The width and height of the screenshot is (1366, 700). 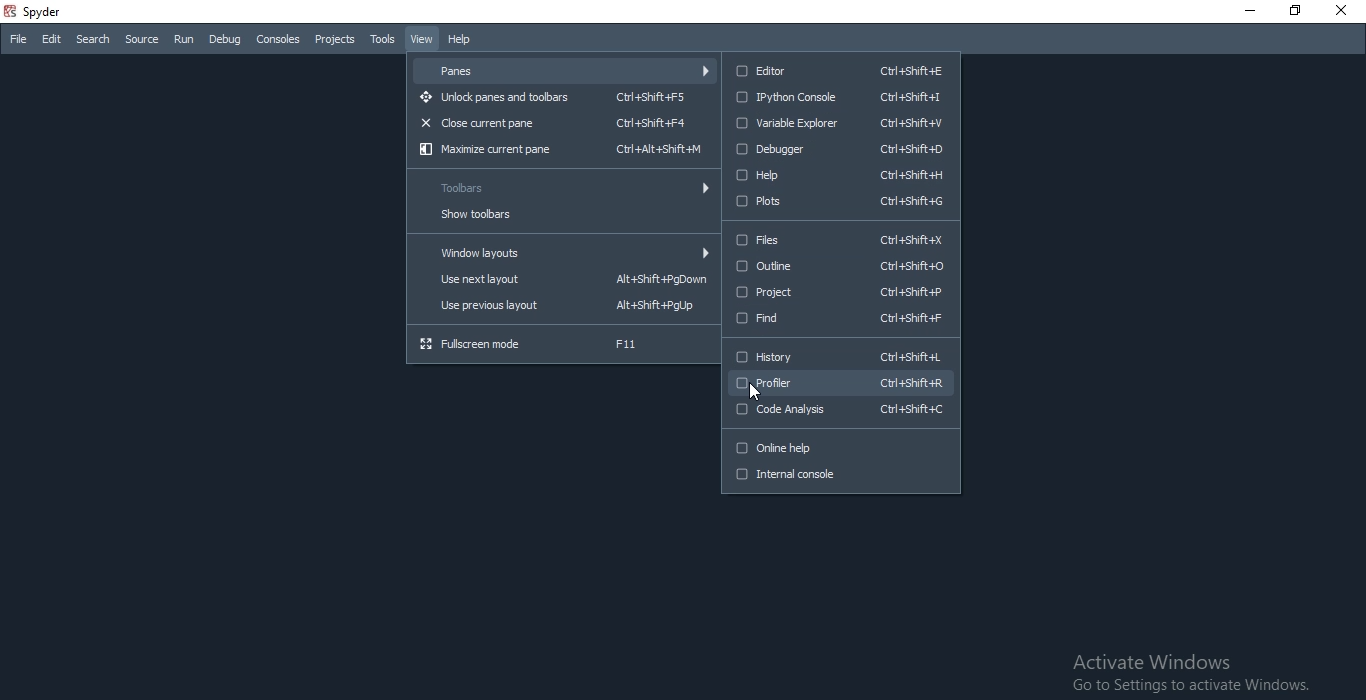 I want to click on Debug, so click(x=227, y=41).